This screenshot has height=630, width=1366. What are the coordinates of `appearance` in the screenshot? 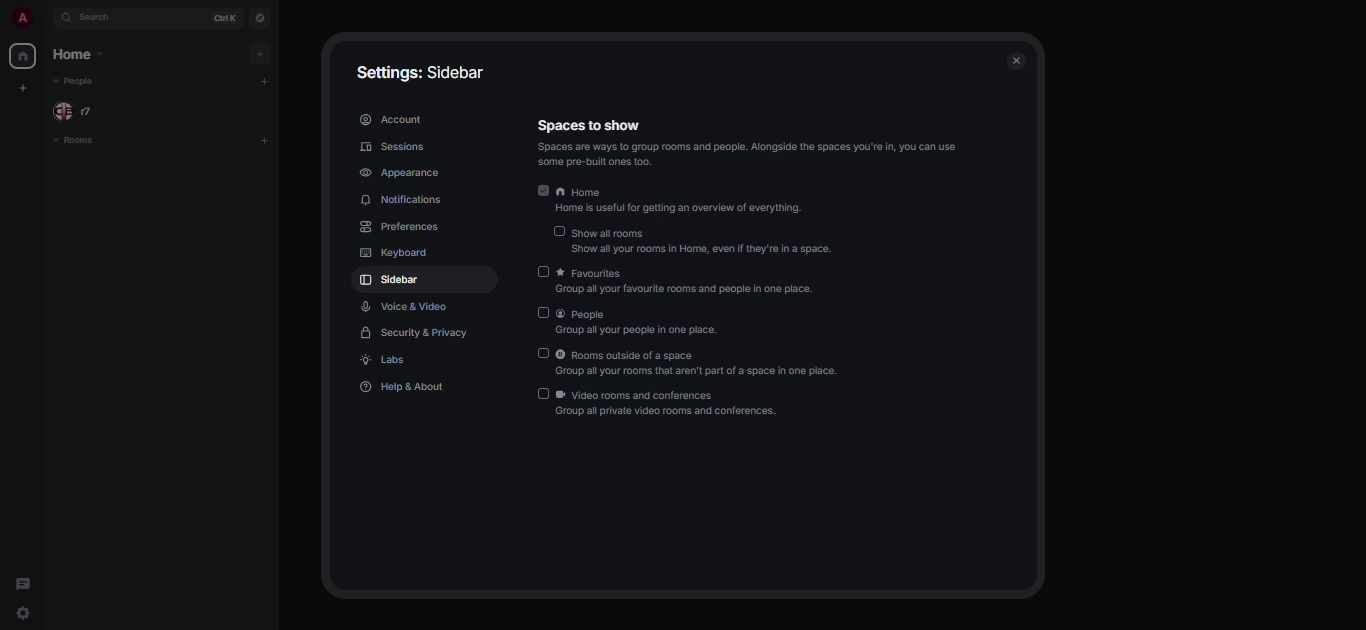 It's located at (402, 173).